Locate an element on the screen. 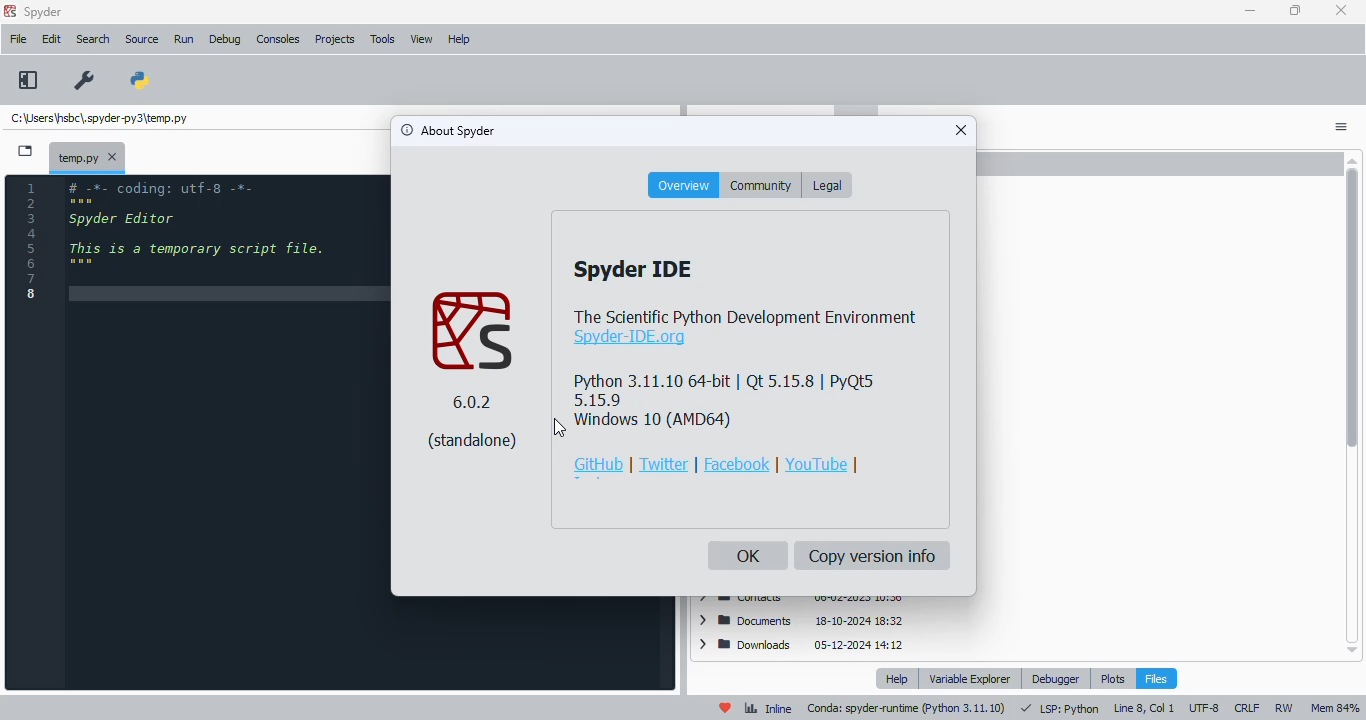  (standalone) is located at coordinates (474, 440).